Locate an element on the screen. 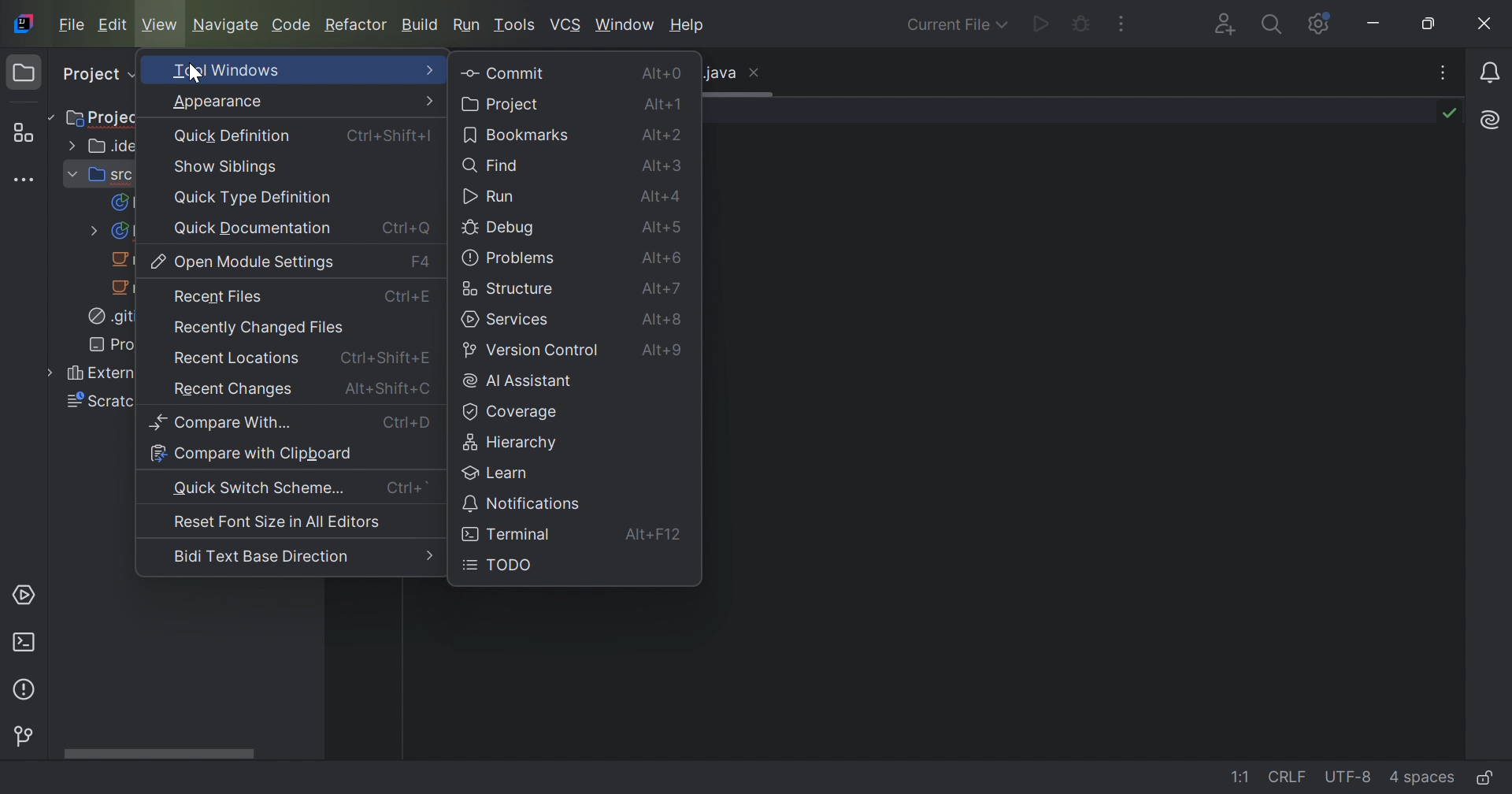 This screenshot has width=1512, height=794. Alt+F12 is located at coordinates (658, 536).